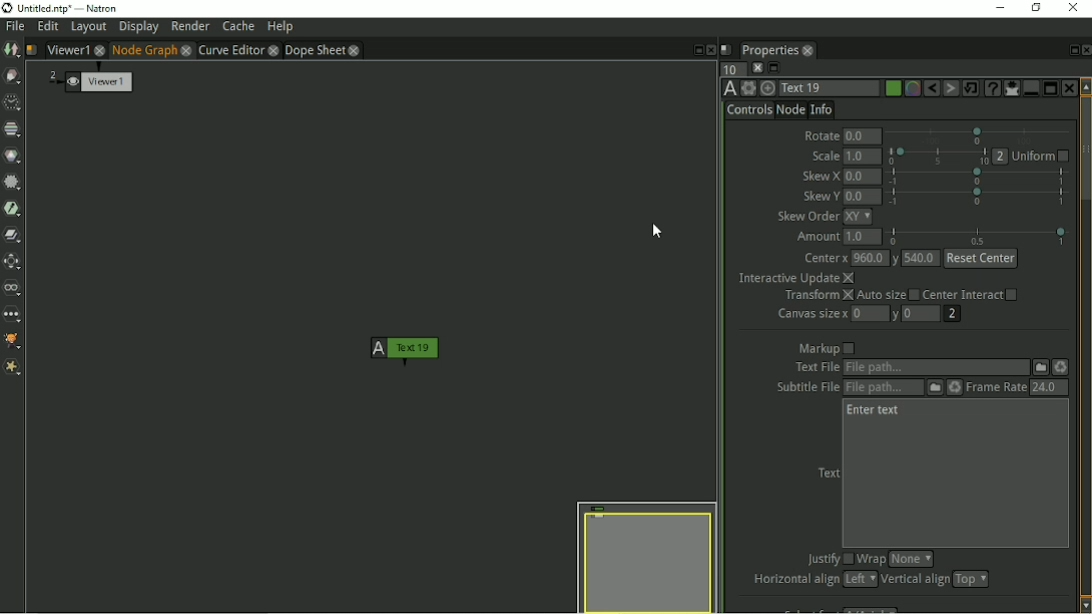  Describe the element at coordinates (749, 88) in the screenshot. I see `Settings and presets` at that location.